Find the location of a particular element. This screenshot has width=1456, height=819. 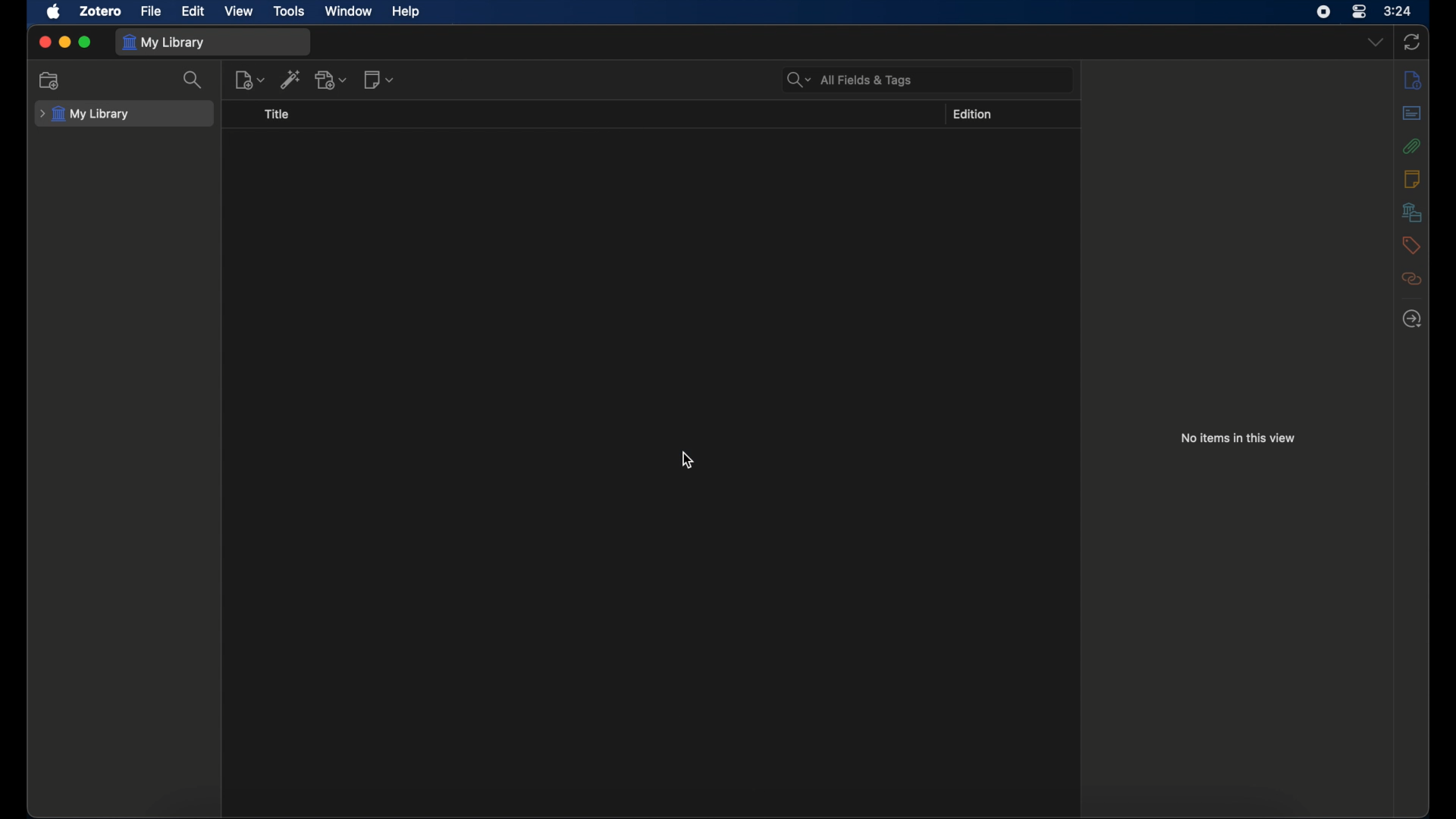

locate is located at coordinates (1414, 319).